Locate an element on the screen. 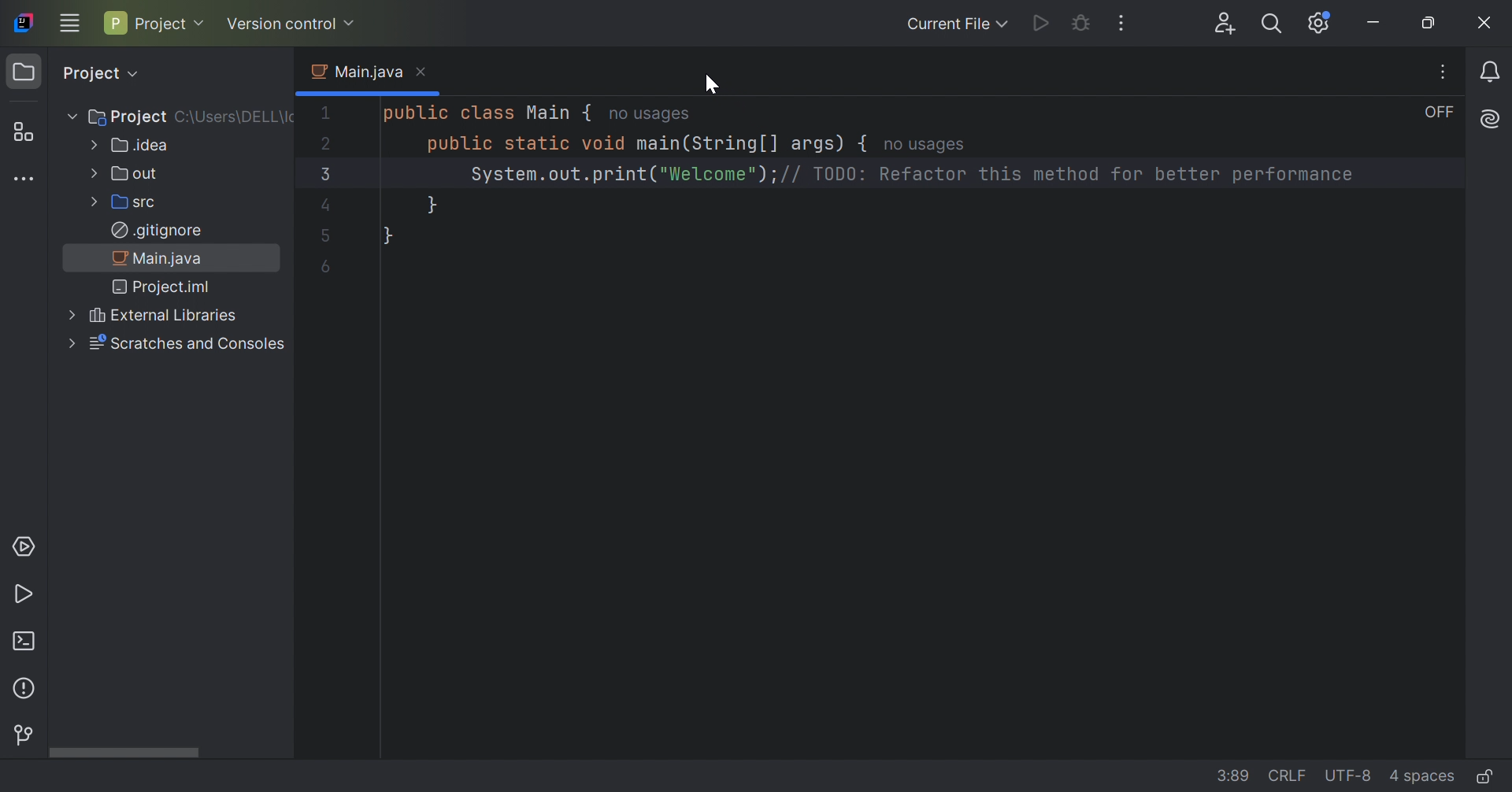  CRLF is located at coordinates (1289, 775).